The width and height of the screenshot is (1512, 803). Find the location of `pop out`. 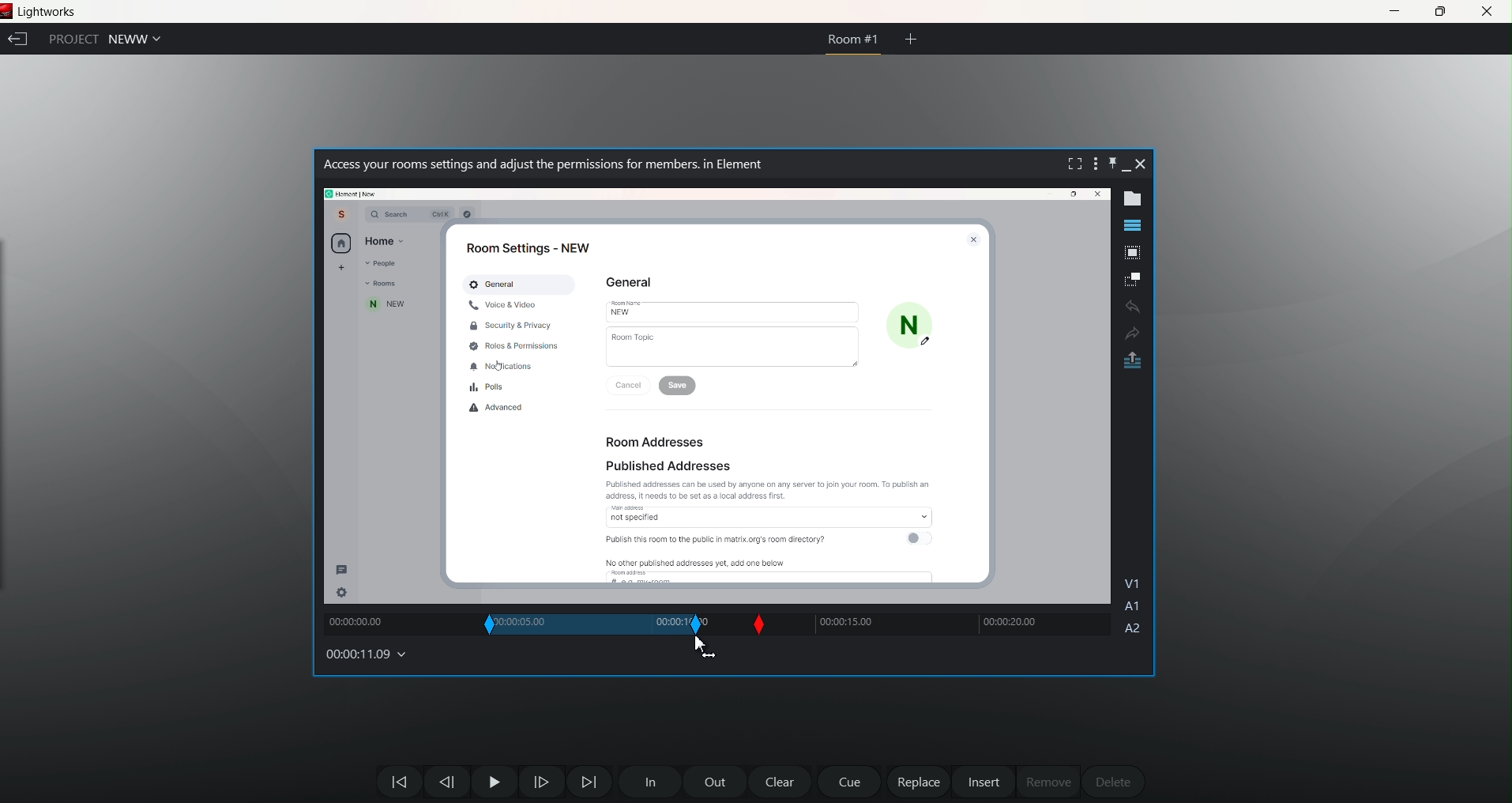

pop out is located at coordinates (1134, 360).